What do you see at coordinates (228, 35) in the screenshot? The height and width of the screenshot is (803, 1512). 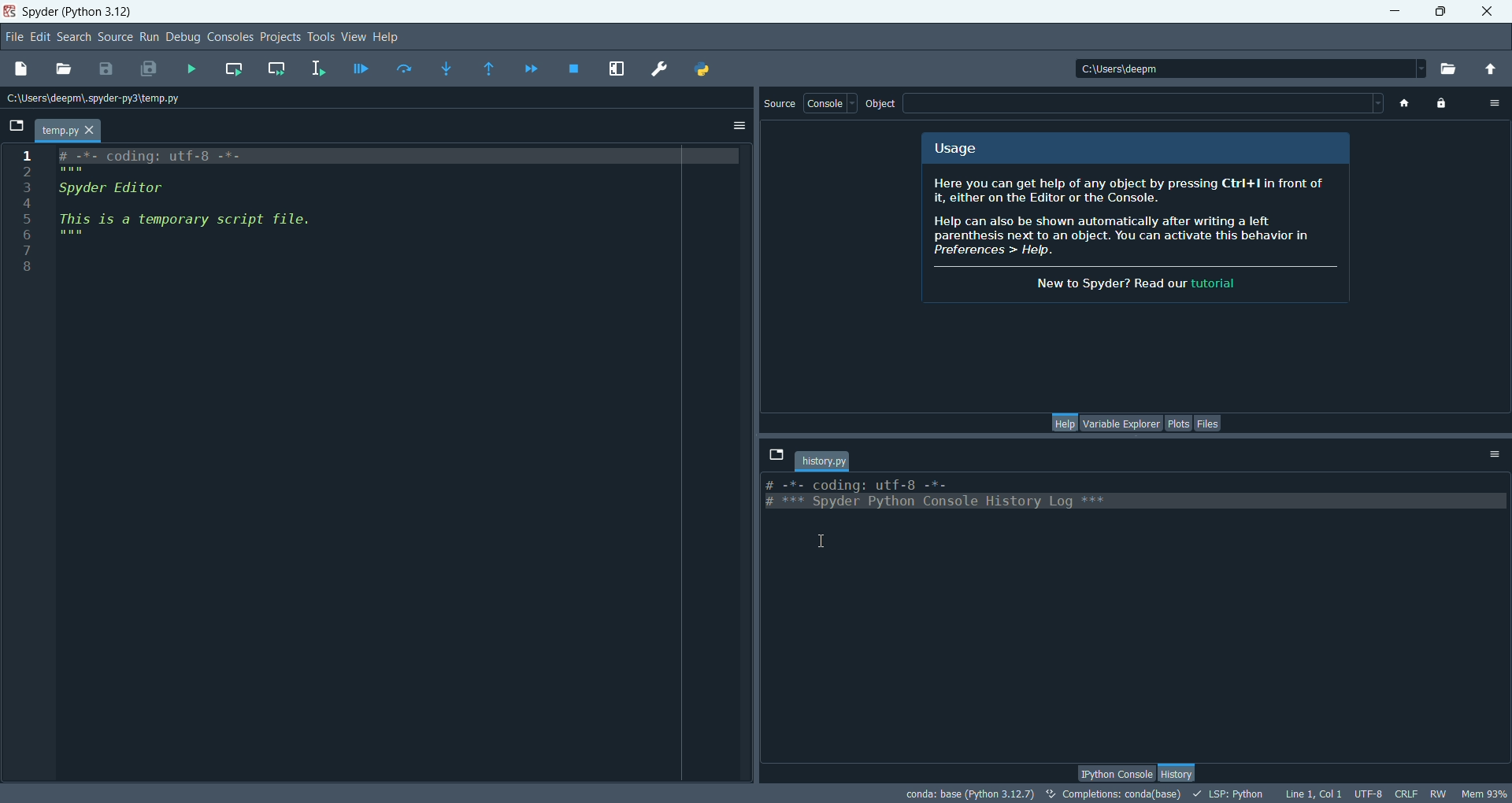 I see `consoles` at bounding box center [228, 35].